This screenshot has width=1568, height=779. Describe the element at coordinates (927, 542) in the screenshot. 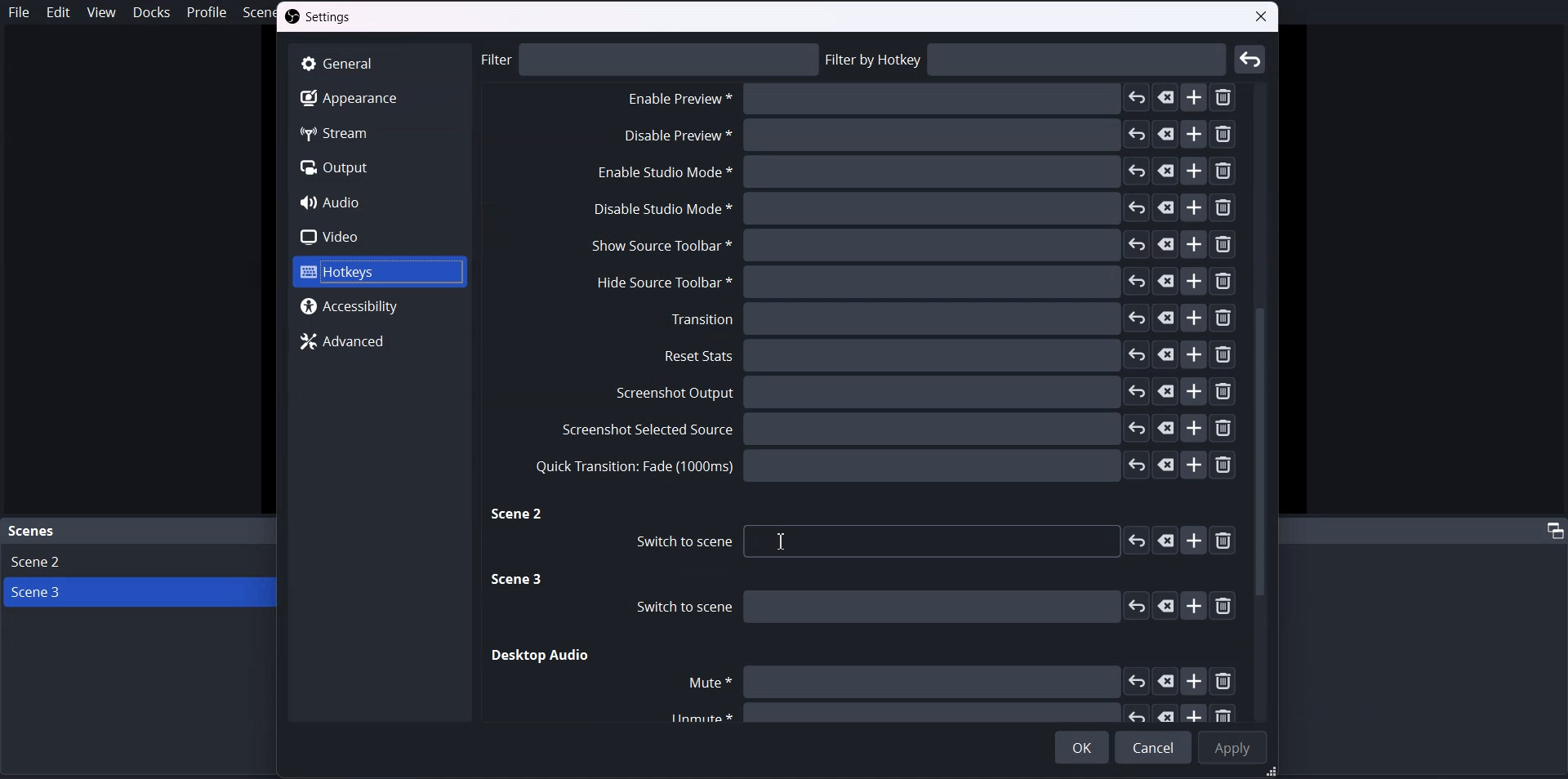

I see `Switch to scene` at that location.